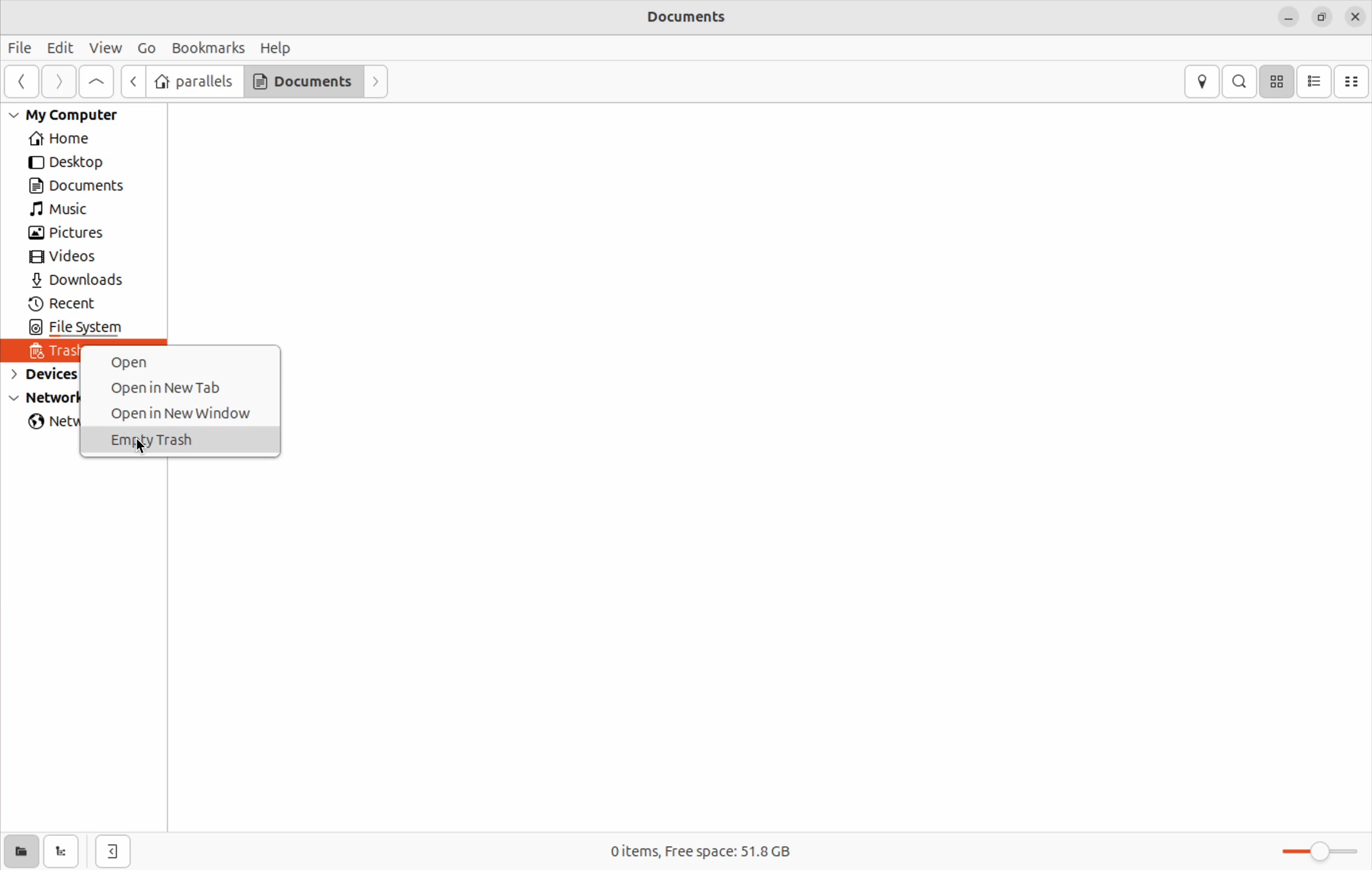 The height and width of the screenshot is (870, 1372). Describe the element at coordinates (1279, 83) in the screenshot. I see `icon view` at that location.